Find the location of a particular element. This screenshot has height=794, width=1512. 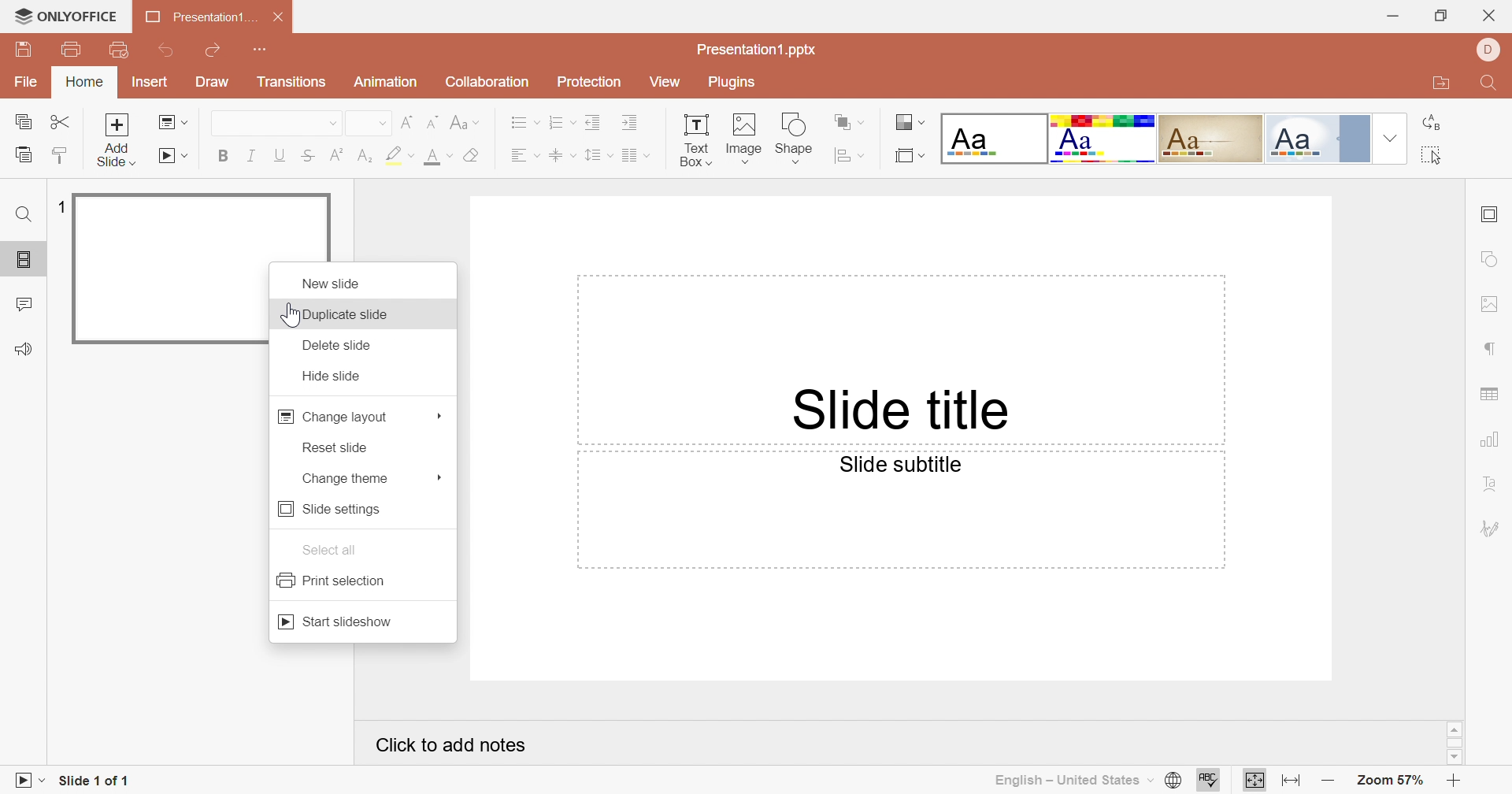

Image settings is located at coordinates (1494, 302).